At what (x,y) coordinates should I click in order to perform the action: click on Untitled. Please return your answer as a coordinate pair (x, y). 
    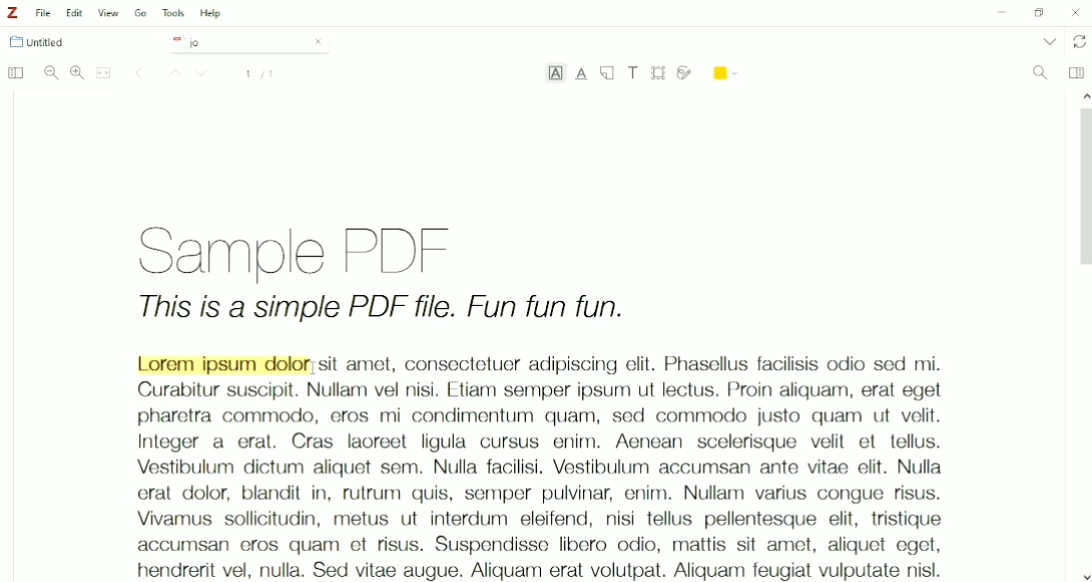
    Looking at the image, I should click on (46, 42).